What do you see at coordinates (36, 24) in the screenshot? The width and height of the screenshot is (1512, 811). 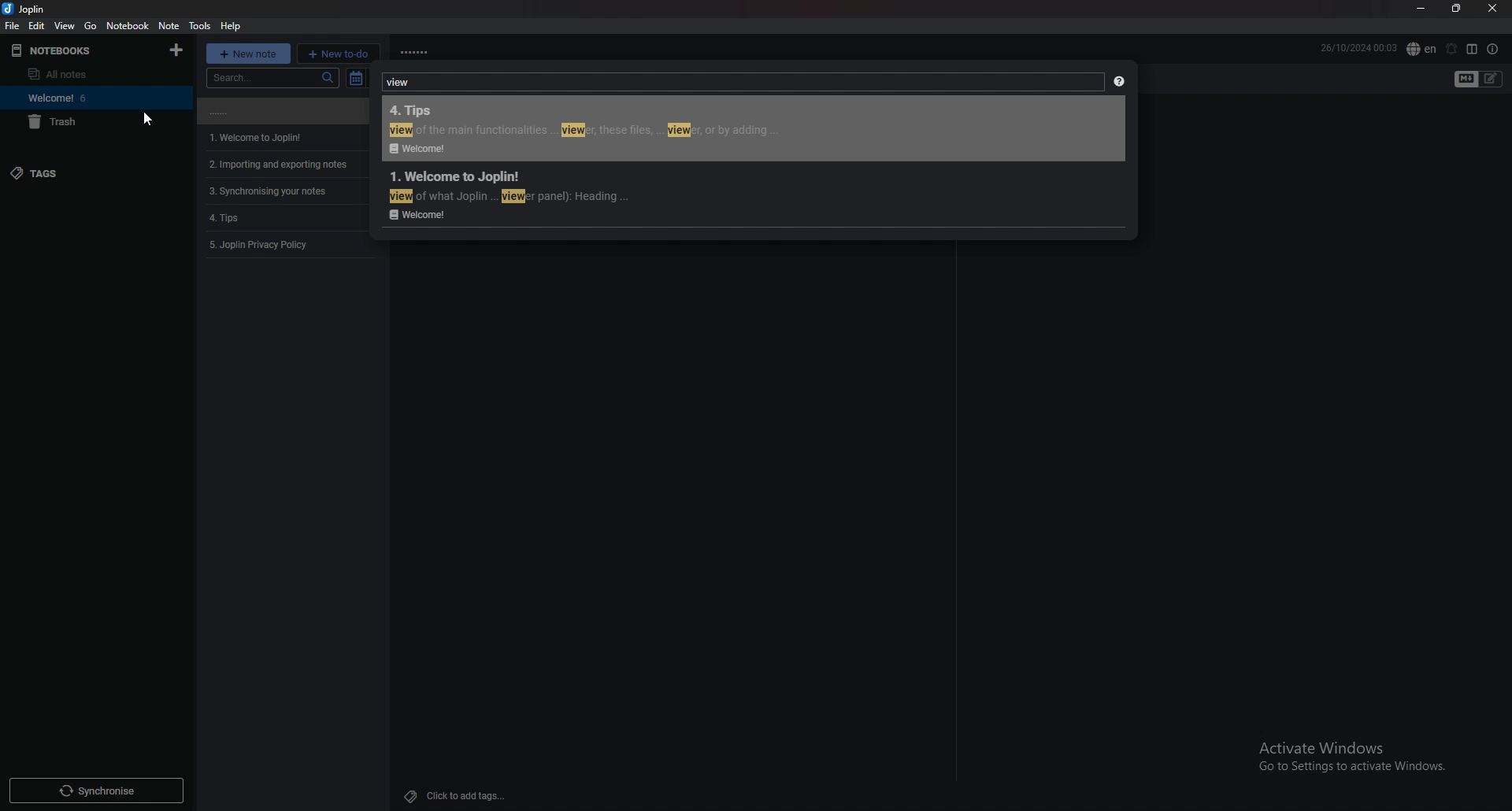 I see `edit` at bounding box center [36, 24].